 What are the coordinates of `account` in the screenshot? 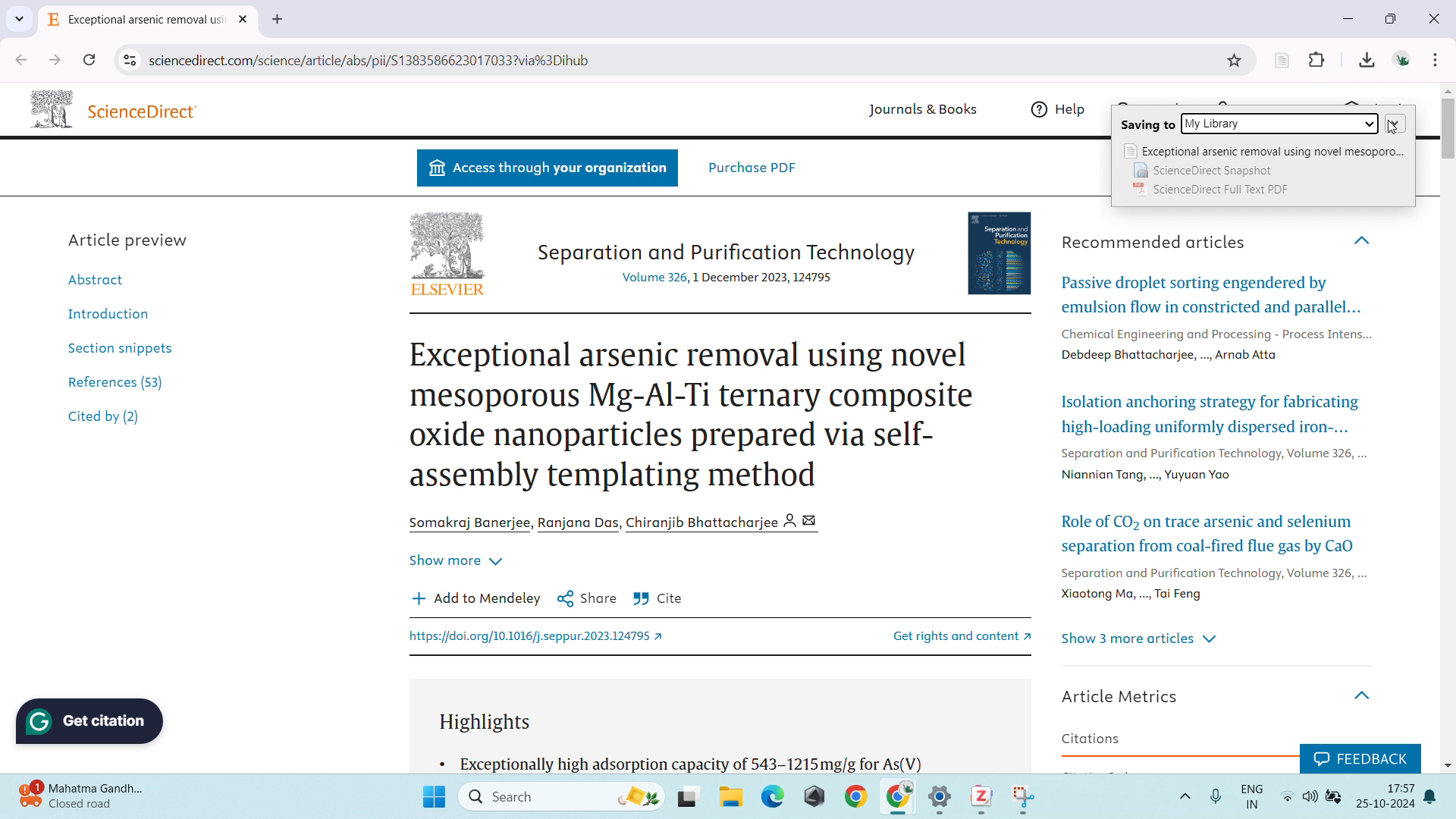 It's located at (1401, 58).